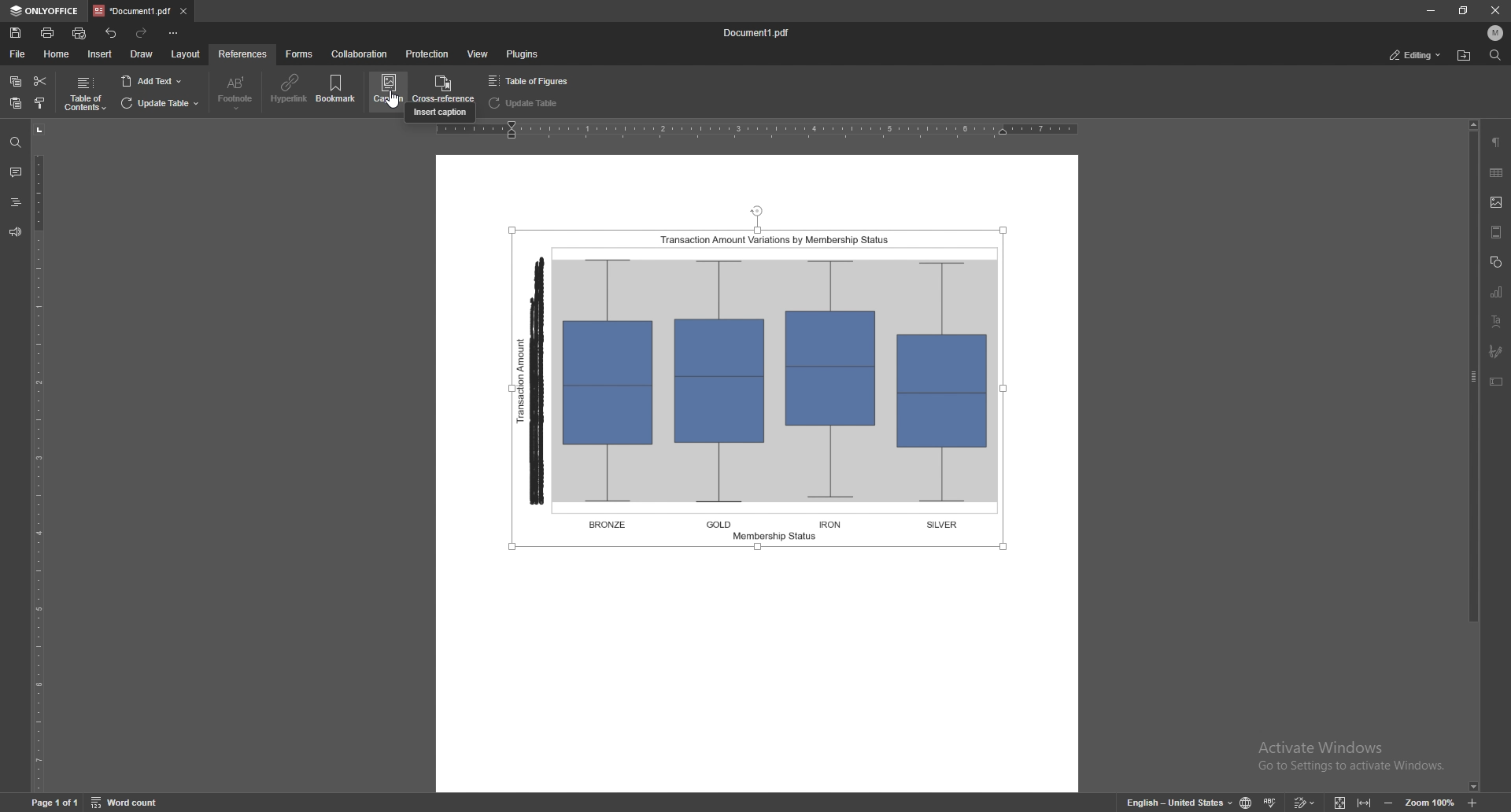  What do you see at coordinates (172, 33) in the screenshot?
I see `customize toolbar` at bounding box center [172, 33].